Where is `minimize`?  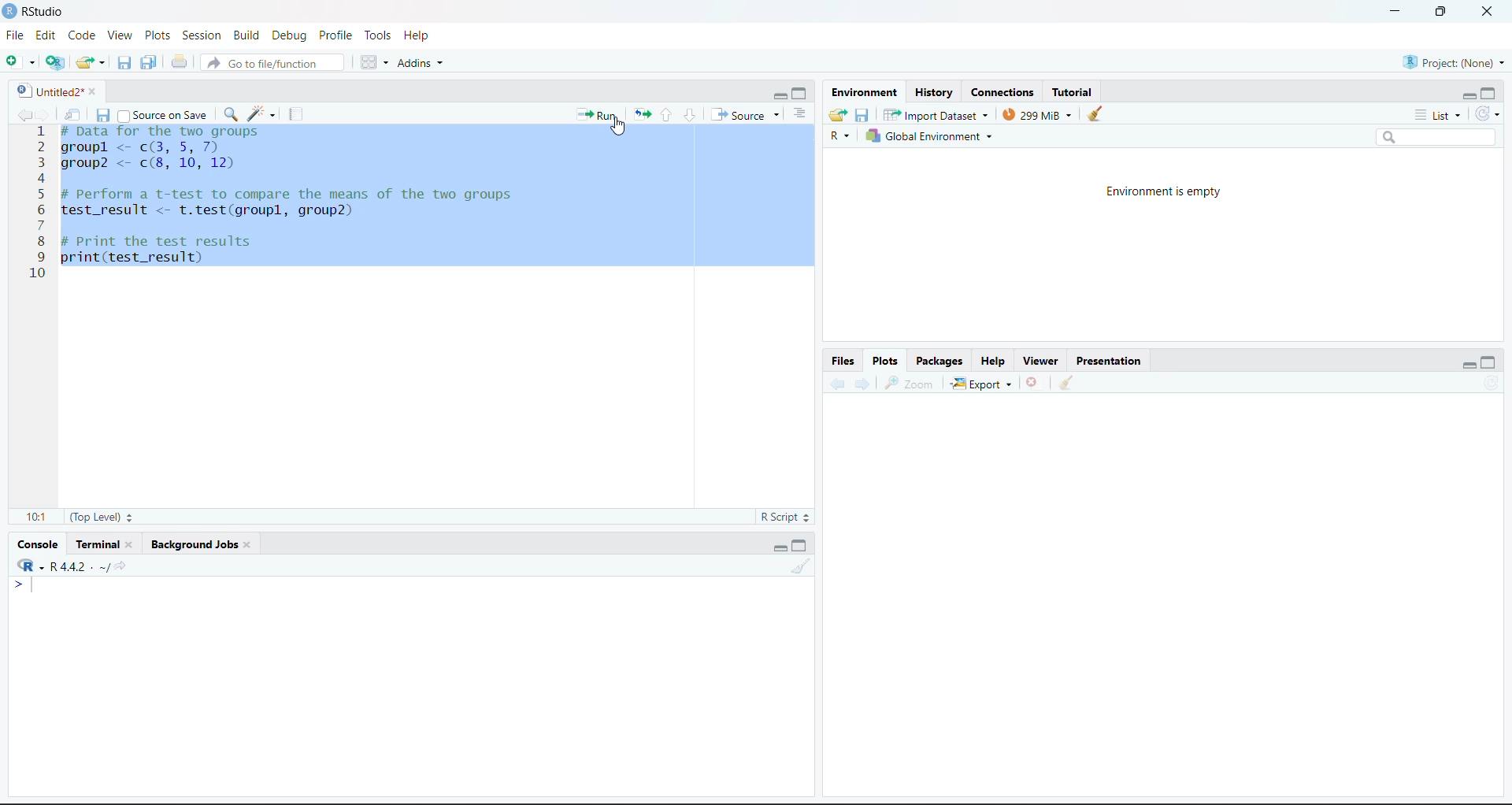
minimize is located at coordinates (778, 95).